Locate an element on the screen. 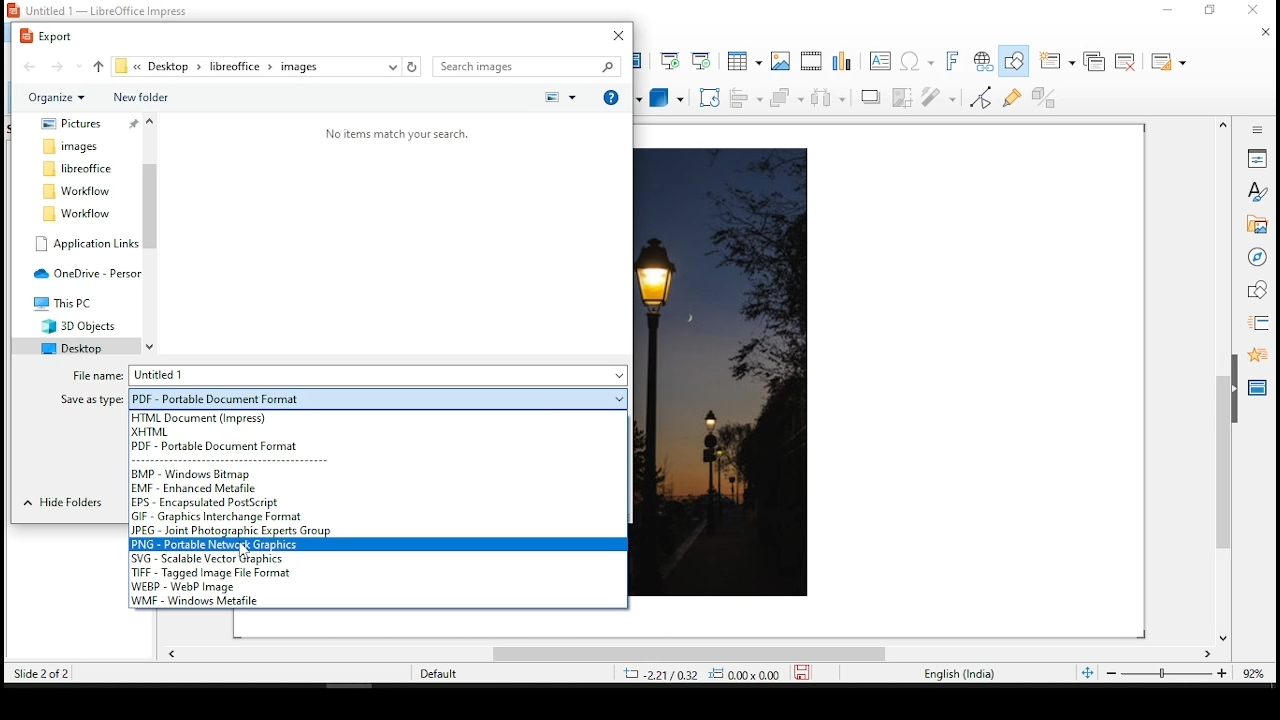 The width and height of the screenshot is (1280, 720). back is located at coordinates (31, 66).